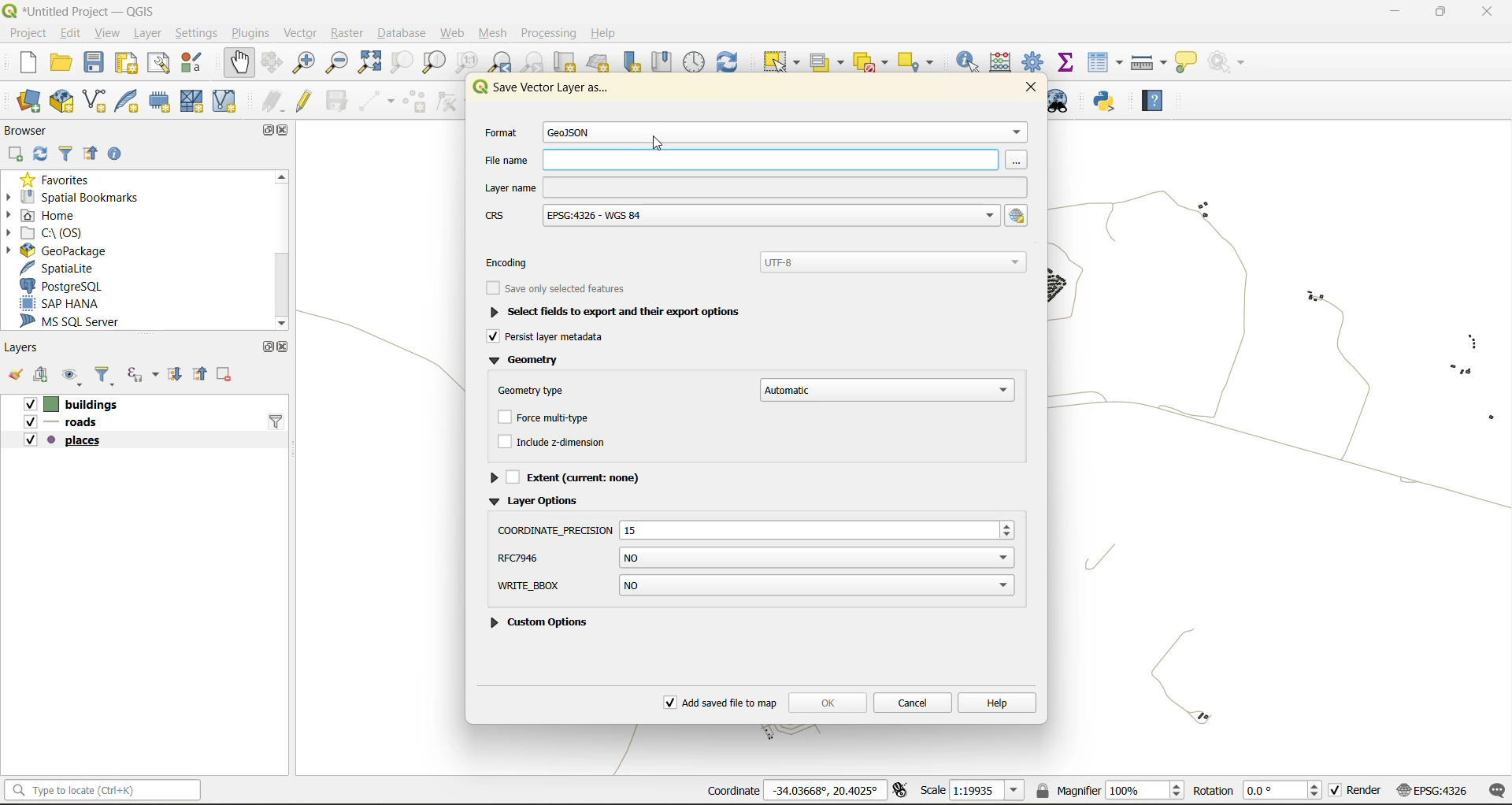 The width and height of the screenshot is (1512, 805). I want to click on new shapefile, so click(95, 99).